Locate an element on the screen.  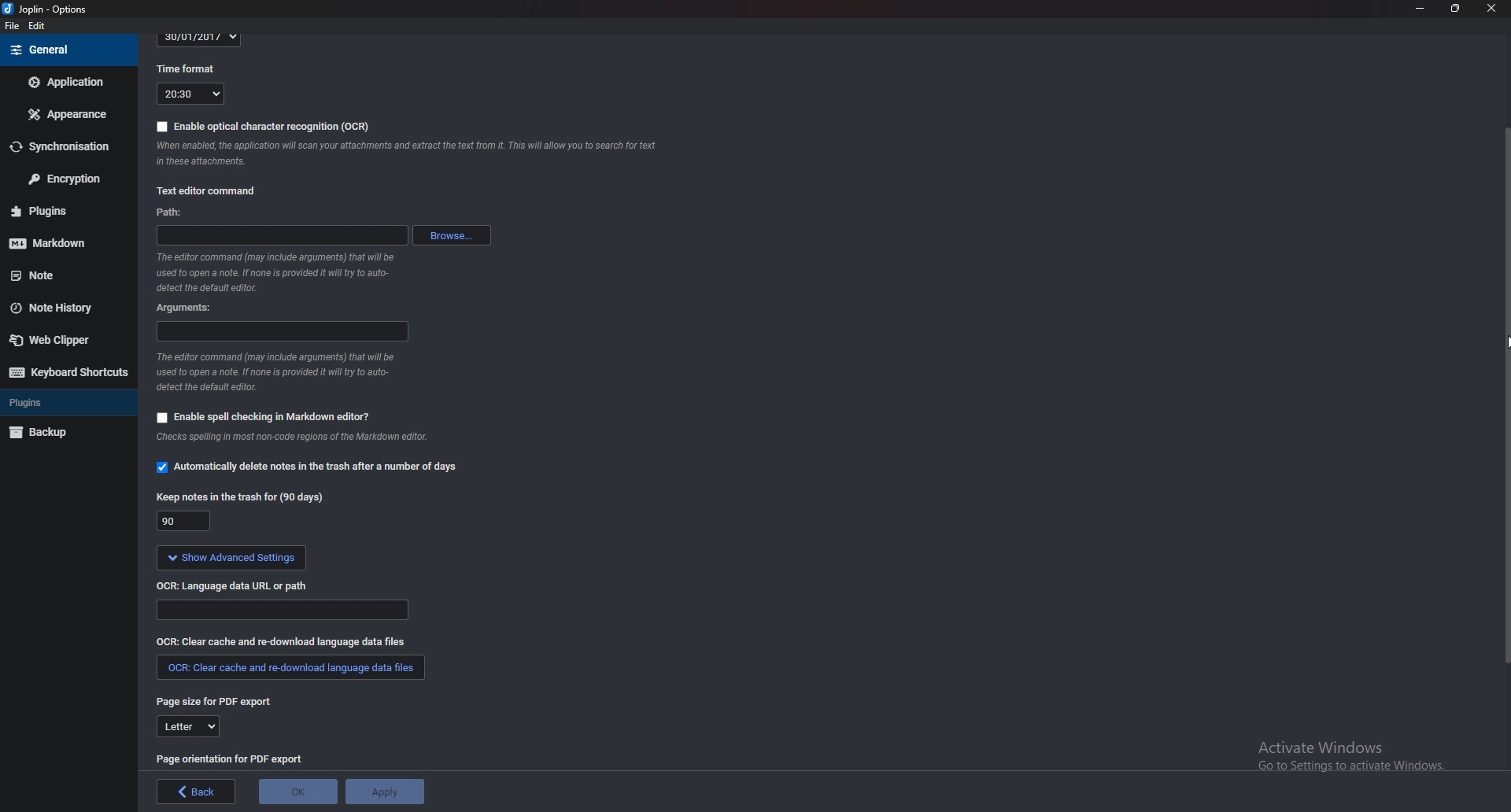
Note history is located at coordinates (59, 309).